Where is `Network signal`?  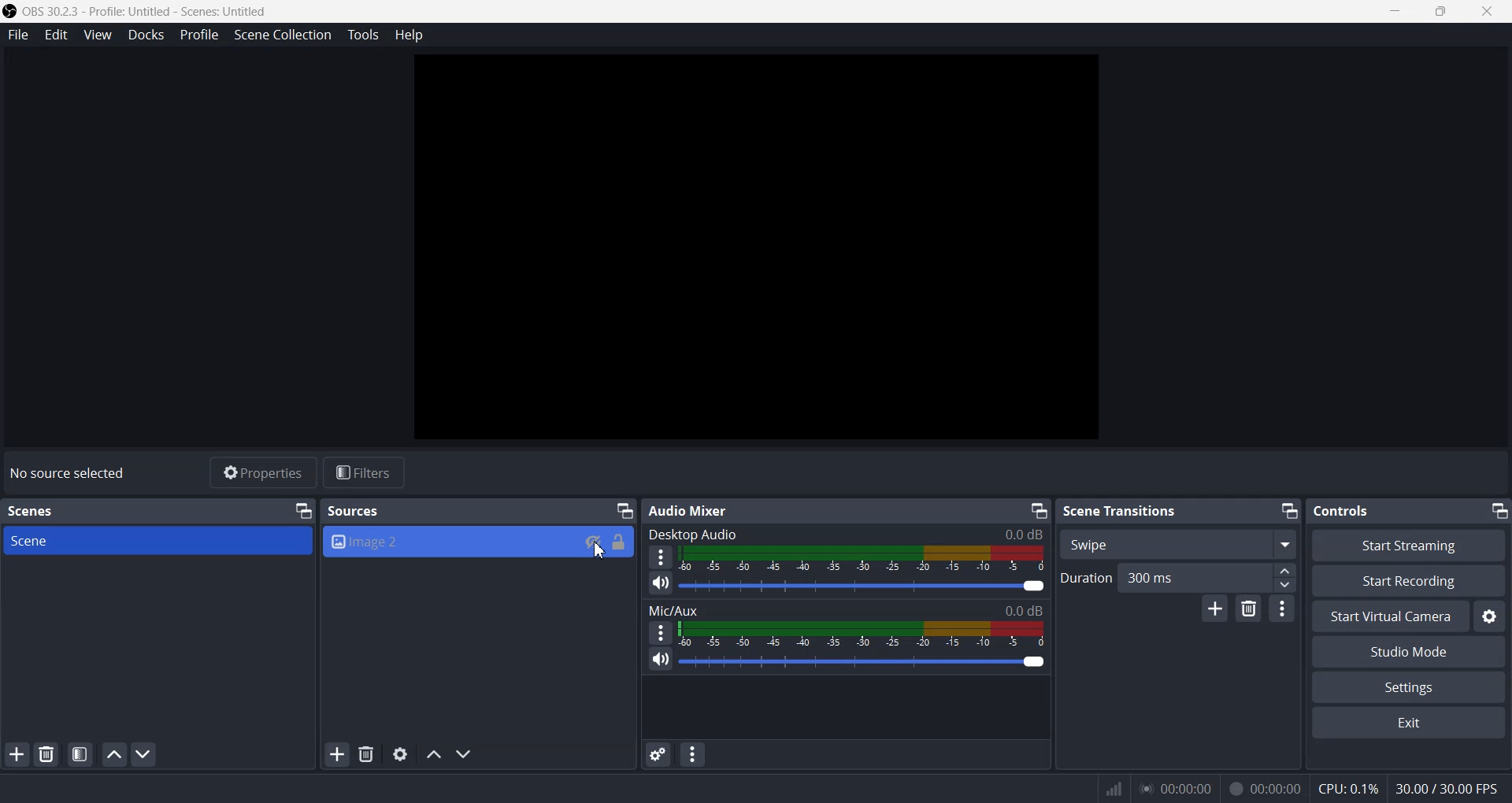
Network signal is located at coordinates (1111, 790).